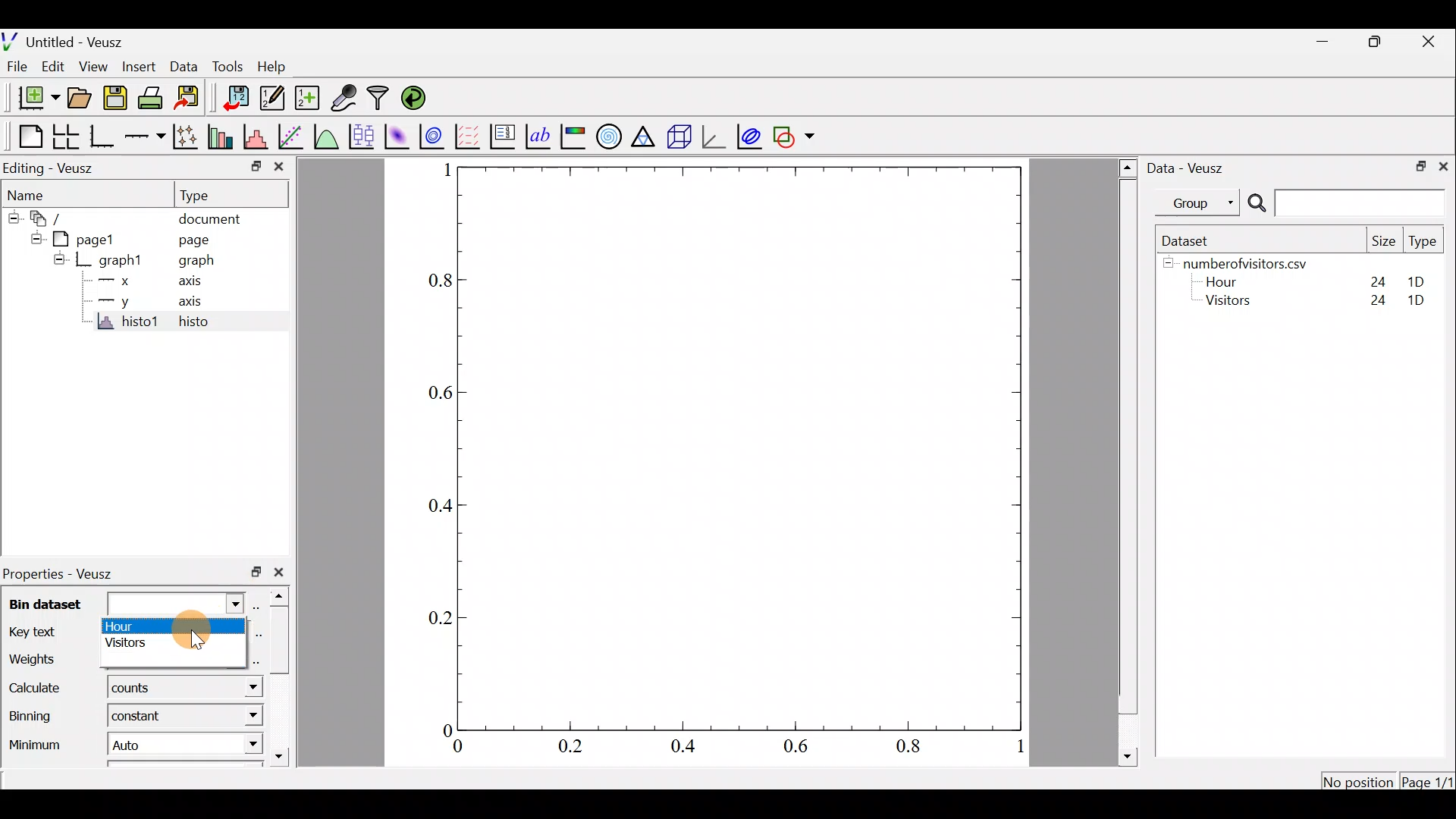  What do you see at coordinates (33, 239) in the screenshot?
I see `hide sub menu` at bounding box center [33, 239].